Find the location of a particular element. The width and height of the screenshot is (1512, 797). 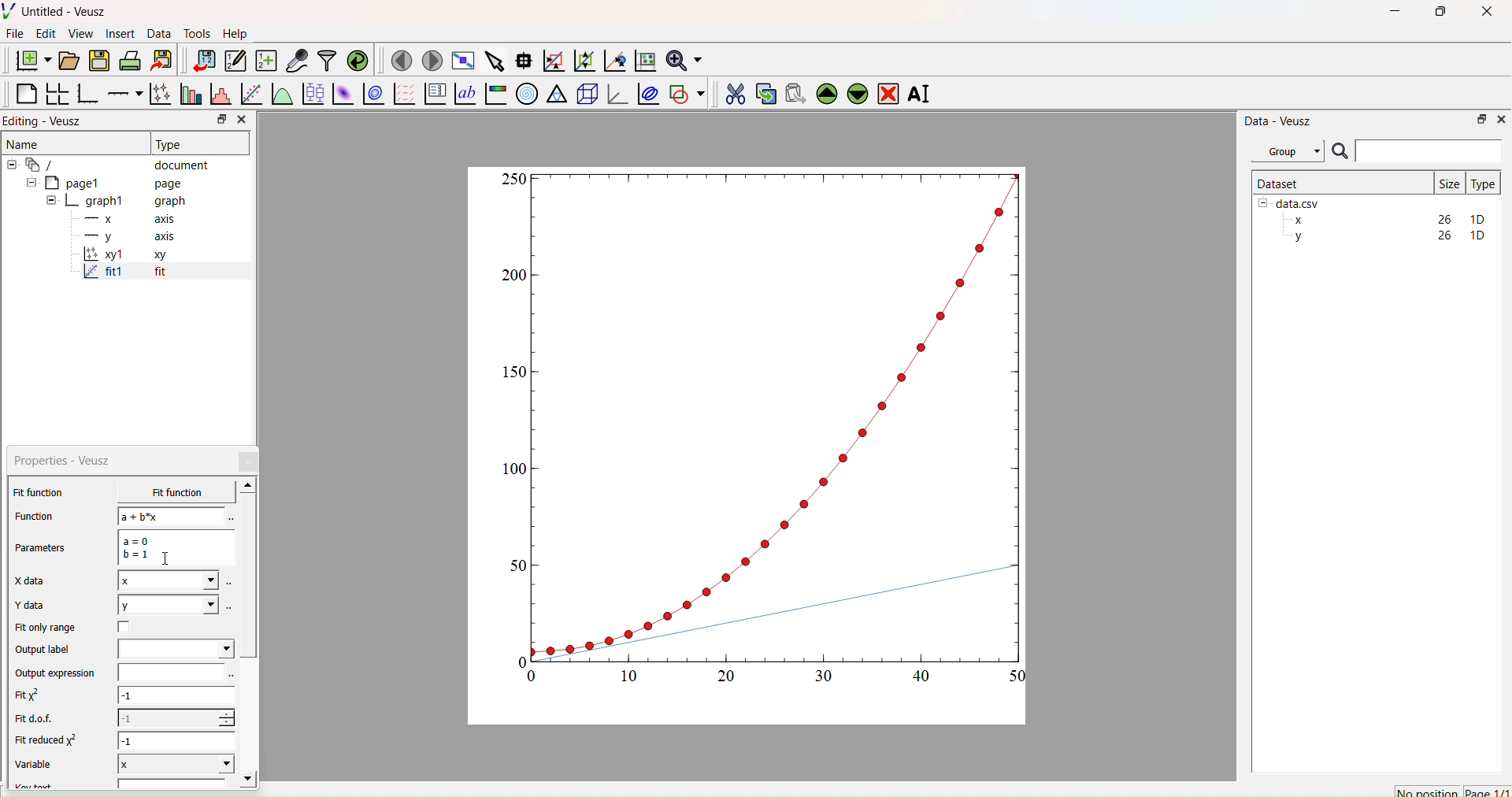

Close is located at coordinates (1488, 16).